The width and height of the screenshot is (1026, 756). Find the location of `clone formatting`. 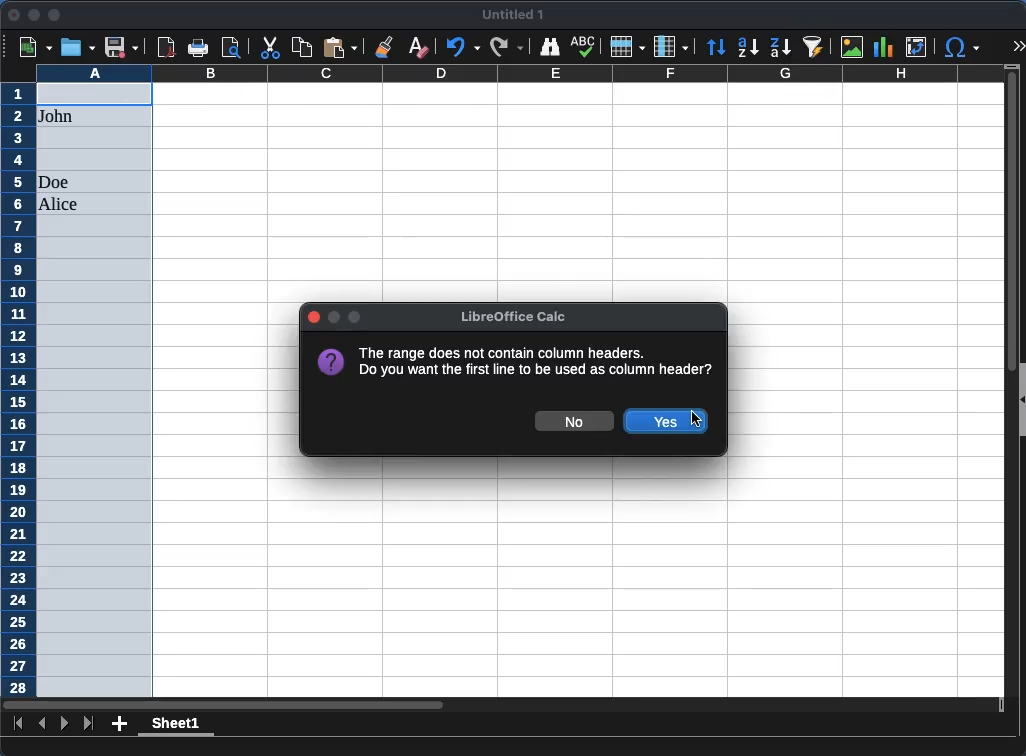

clone formatting is located at coordinates (387, 46).